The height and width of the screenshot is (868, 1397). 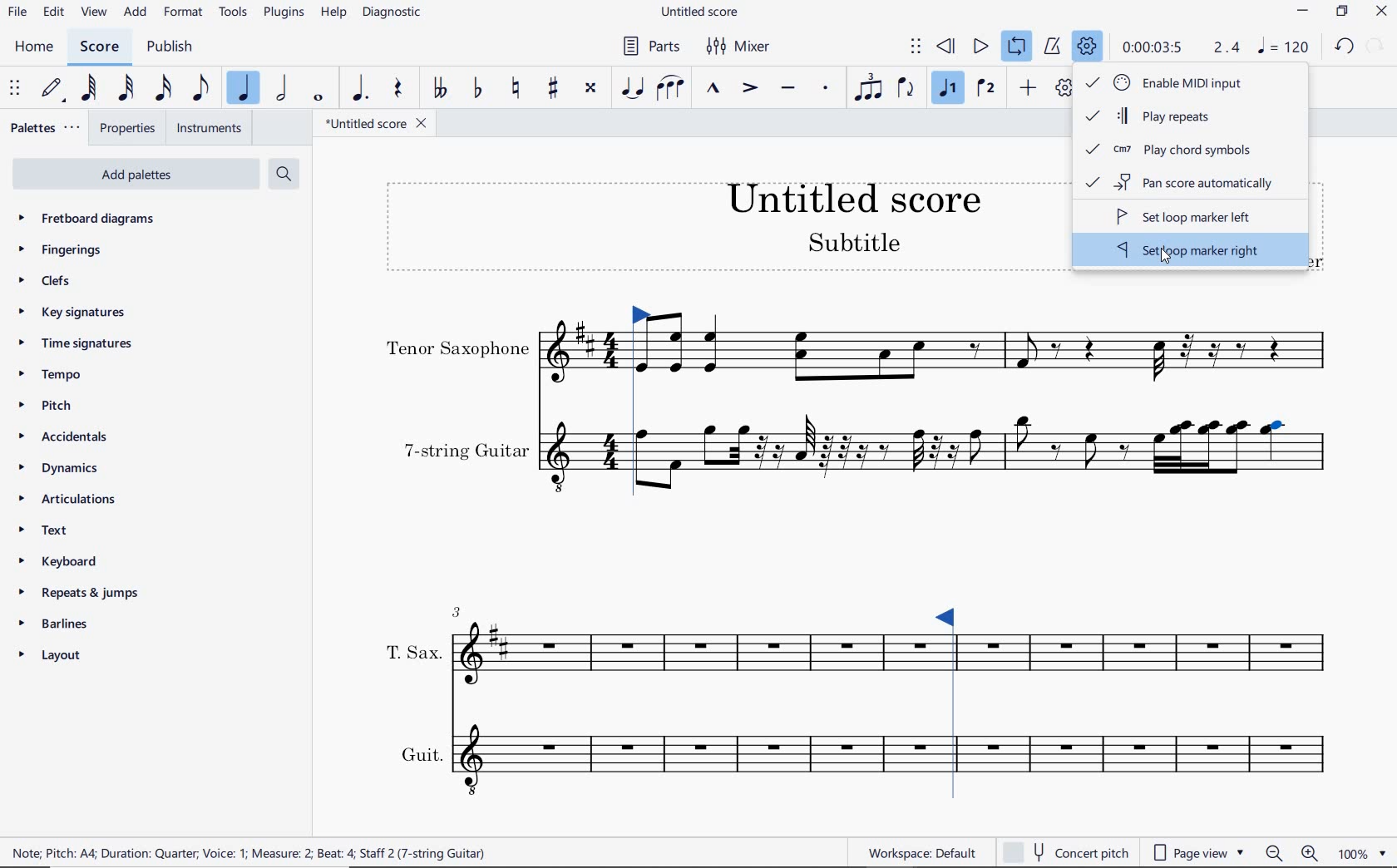 I want to click on INSTRUMENT: GUIT, so click(x=1167, y=756).